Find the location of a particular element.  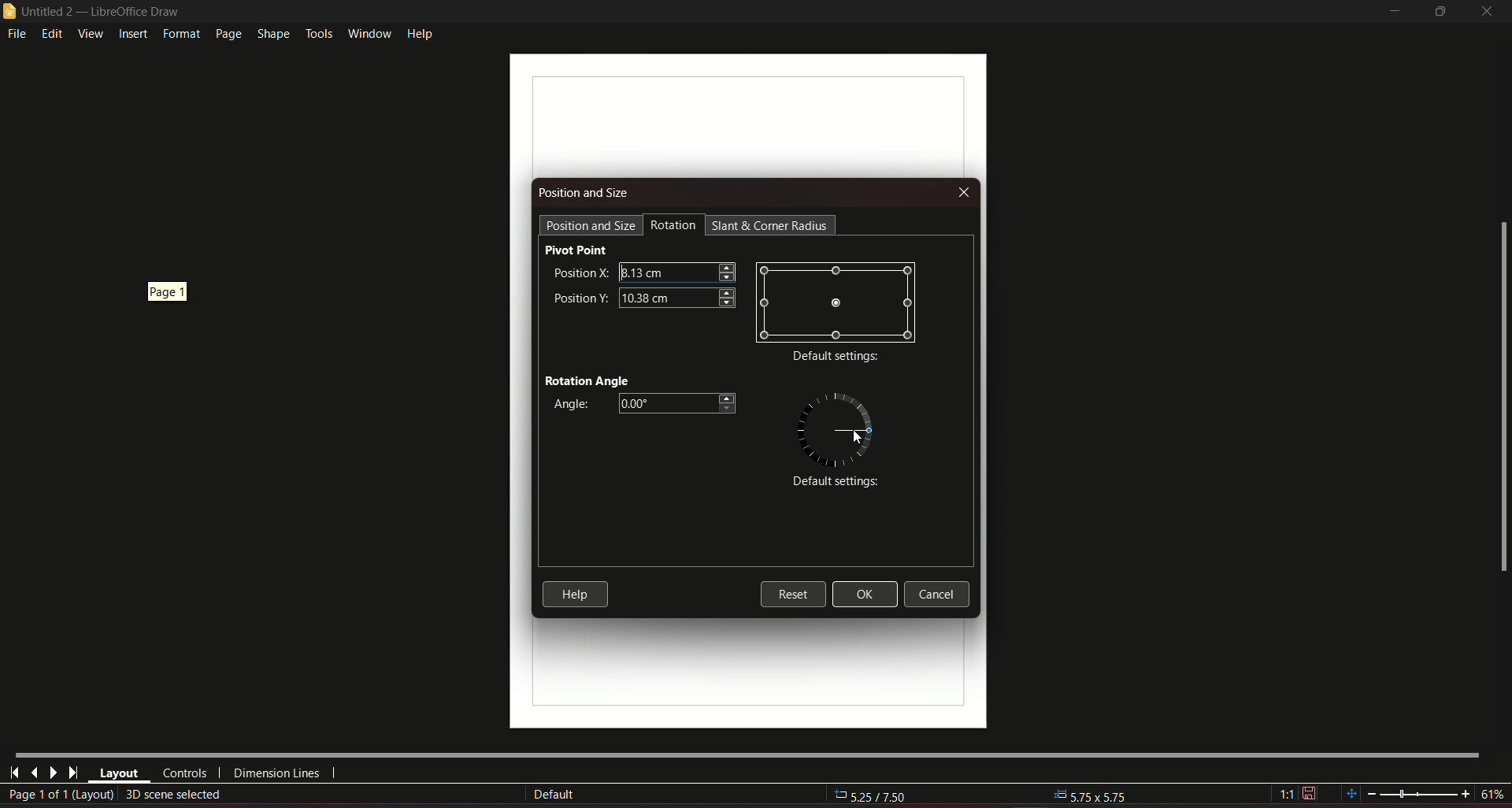

Ok is located at coordinates (865, 595).